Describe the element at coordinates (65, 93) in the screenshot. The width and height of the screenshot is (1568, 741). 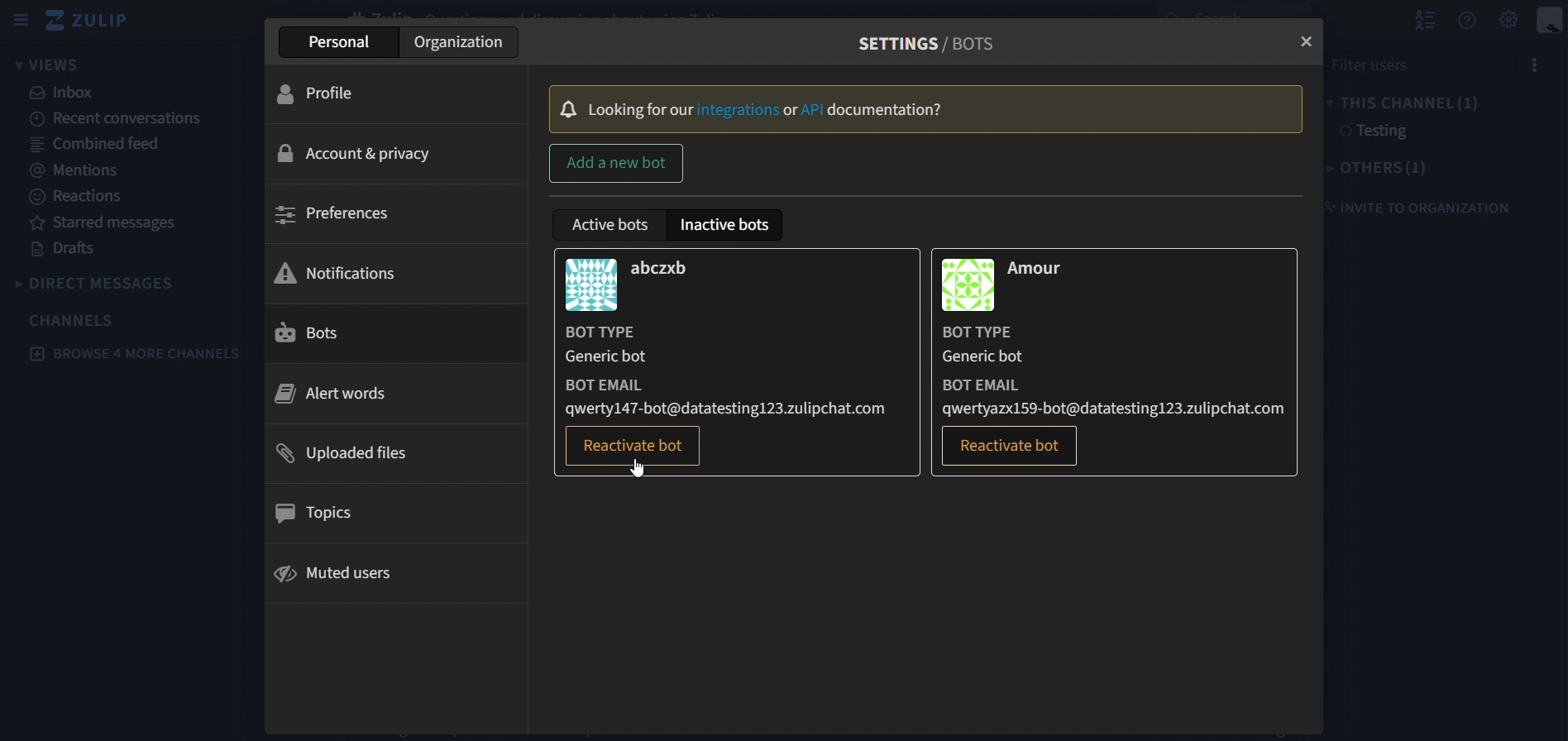
I see `inbox` at that location.